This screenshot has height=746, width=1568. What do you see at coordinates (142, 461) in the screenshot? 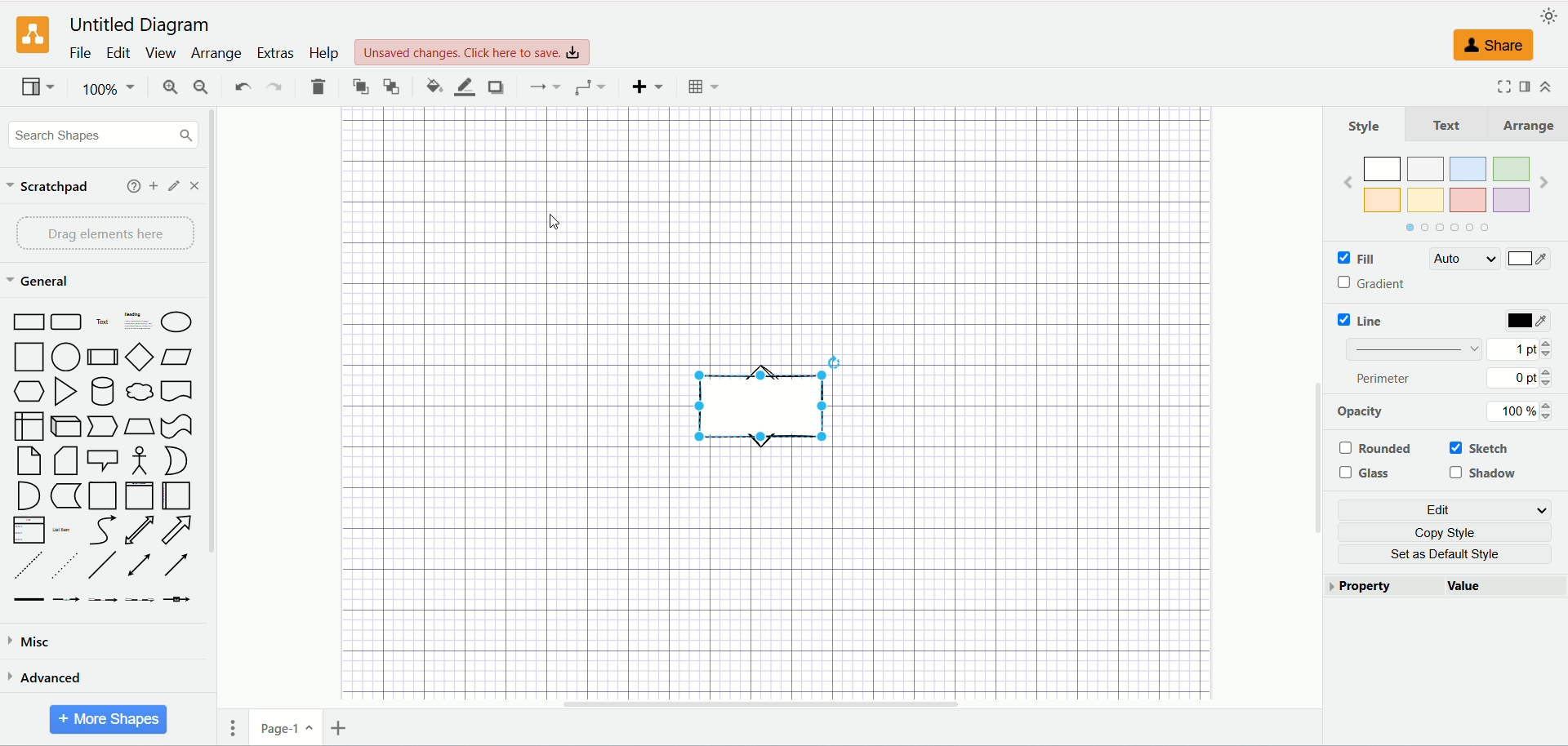
I see `Actor` at bounding box center [142, 461].